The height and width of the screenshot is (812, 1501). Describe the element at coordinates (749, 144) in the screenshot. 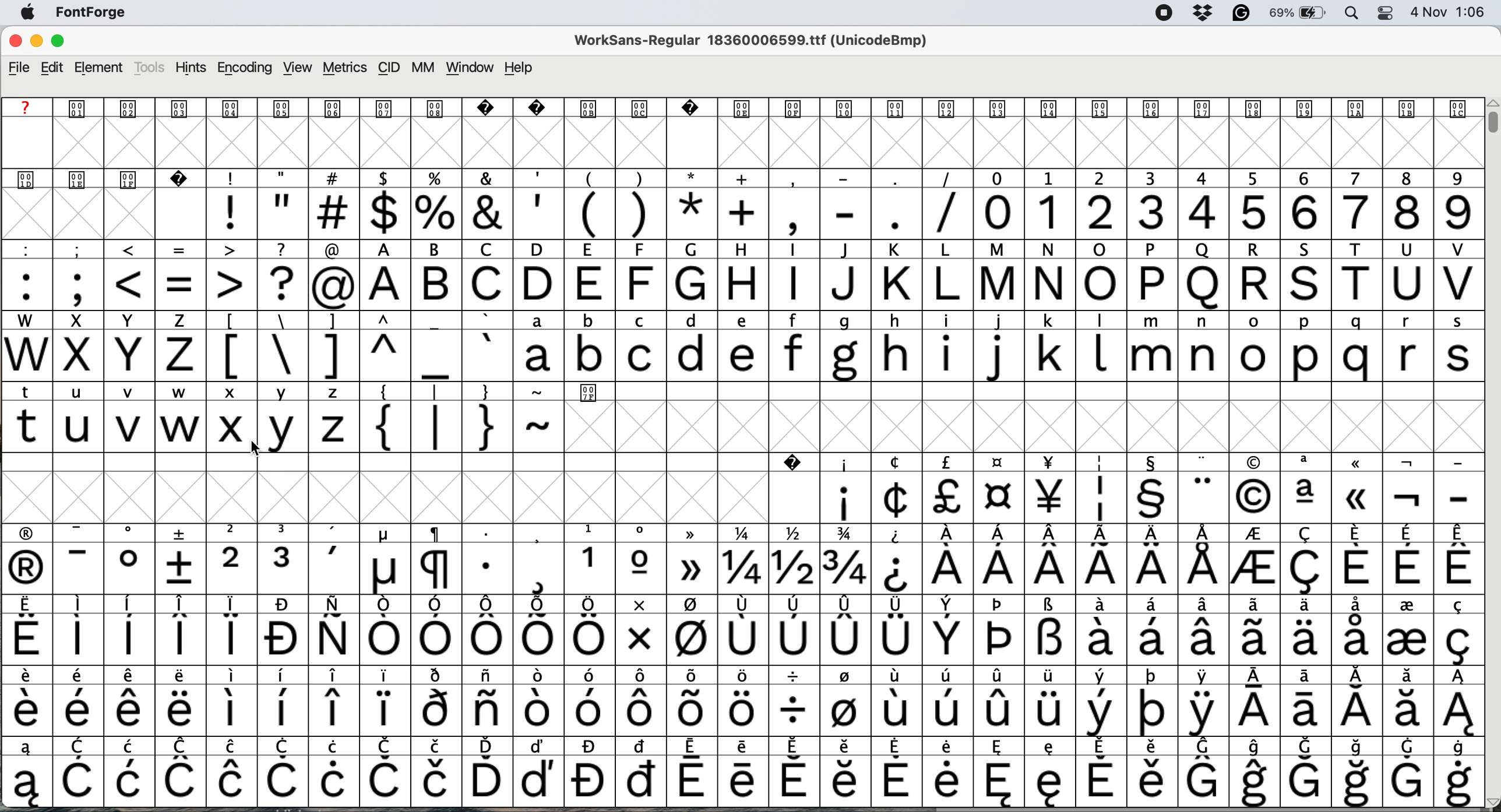

I see `glyph grid` at that location.